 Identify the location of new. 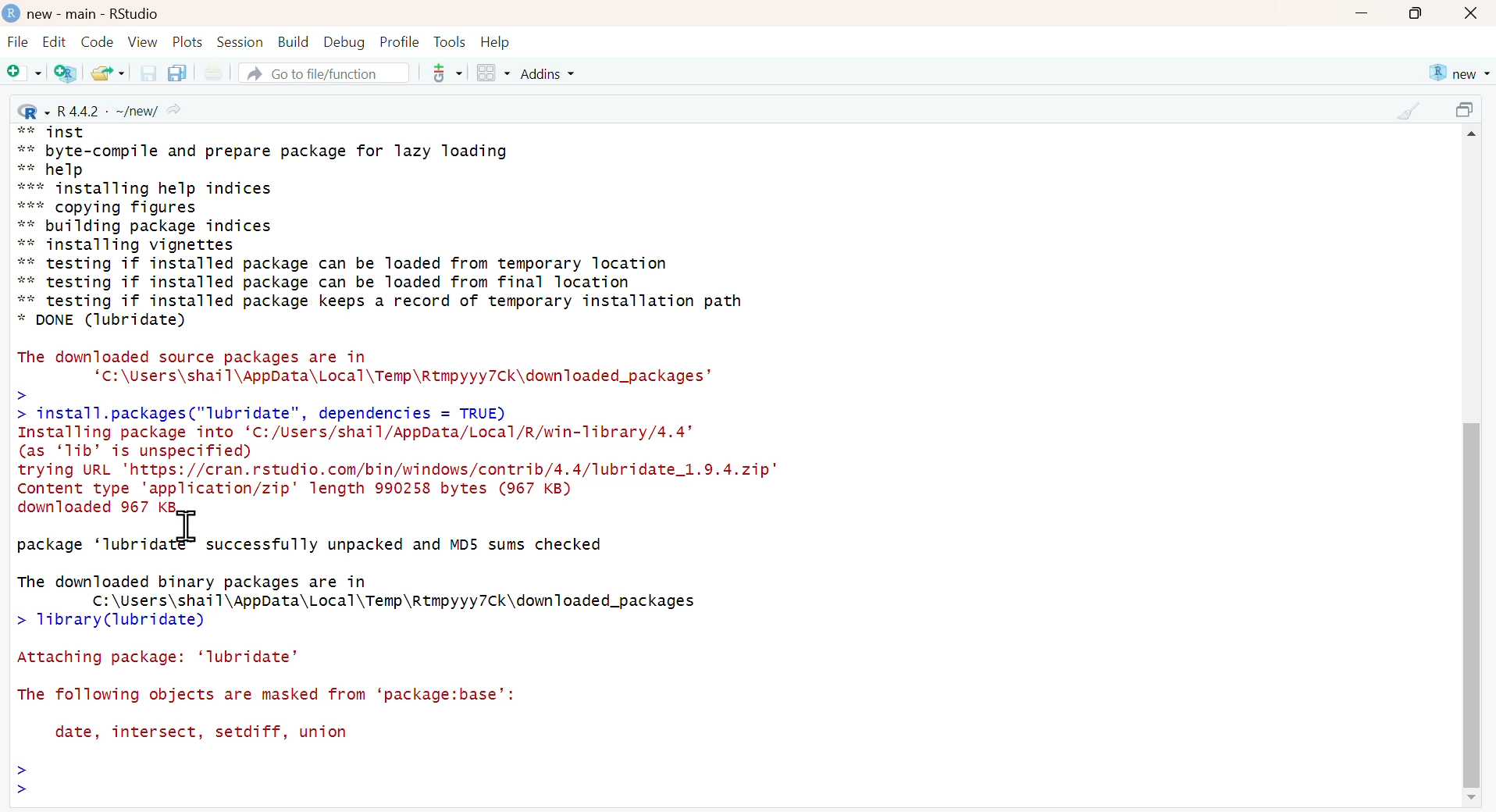
(1458, 73).